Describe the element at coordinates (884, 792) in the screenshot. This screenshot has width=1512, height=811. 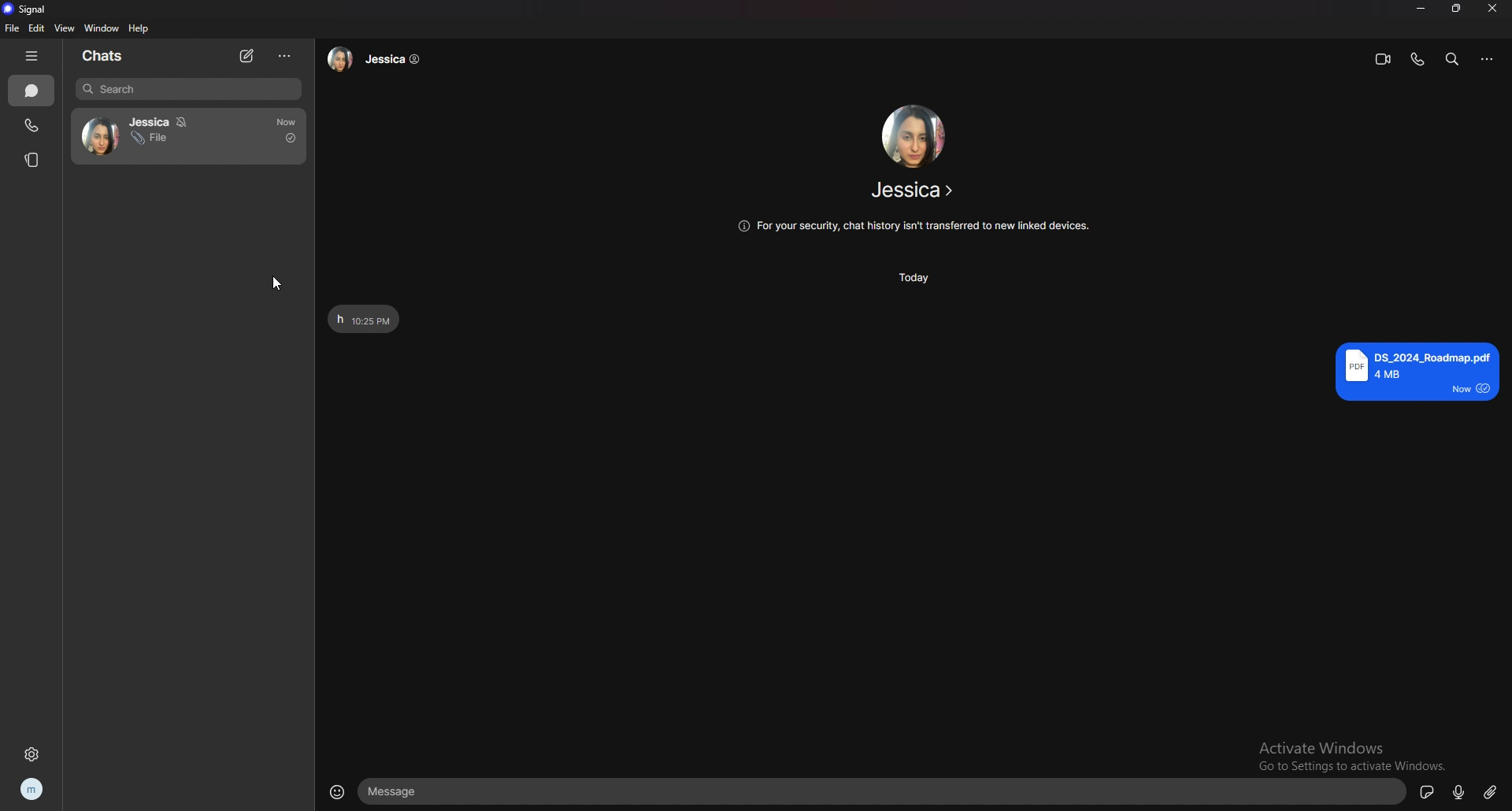
I see `text input` at that location.